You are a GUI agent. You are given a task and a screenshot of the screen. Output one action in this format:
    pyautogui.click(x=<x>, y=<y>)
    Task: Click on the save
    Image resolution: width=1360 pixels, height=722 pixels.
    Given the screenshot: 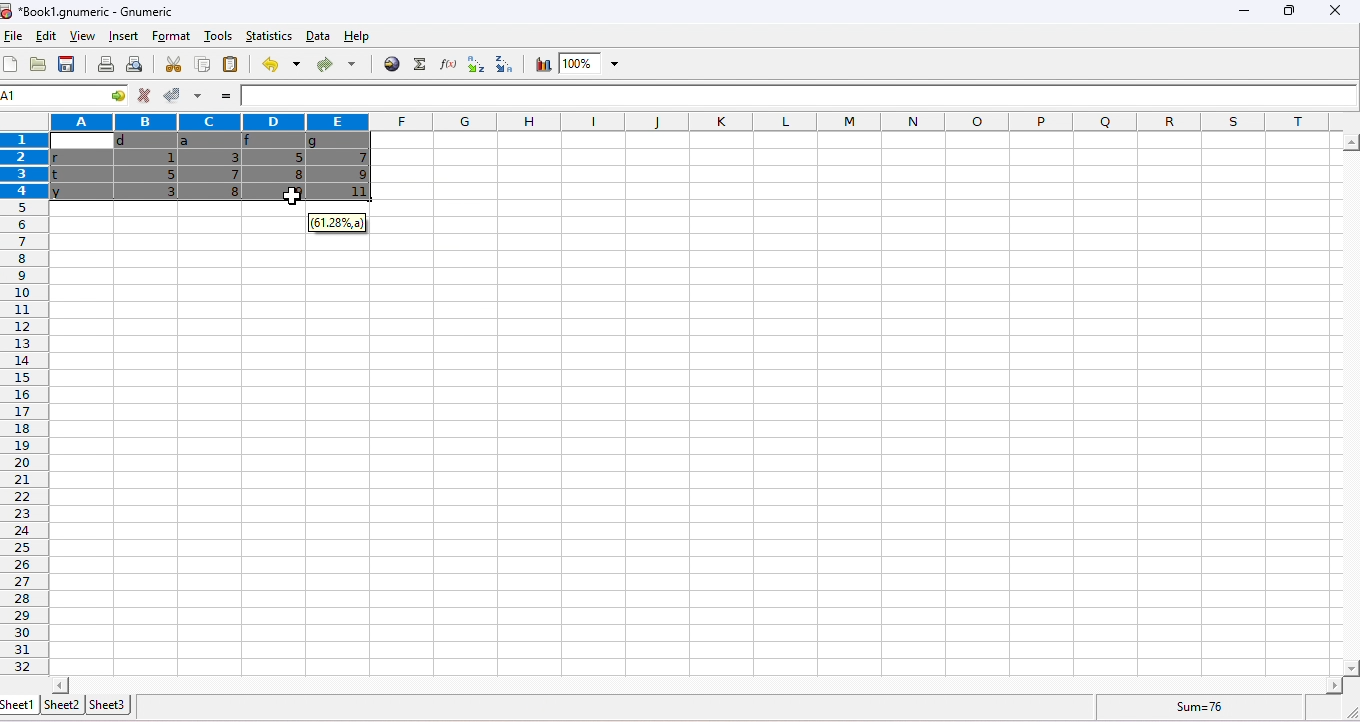 What is the action you would take?
    pyautogui.click(x=69, y=65)
    